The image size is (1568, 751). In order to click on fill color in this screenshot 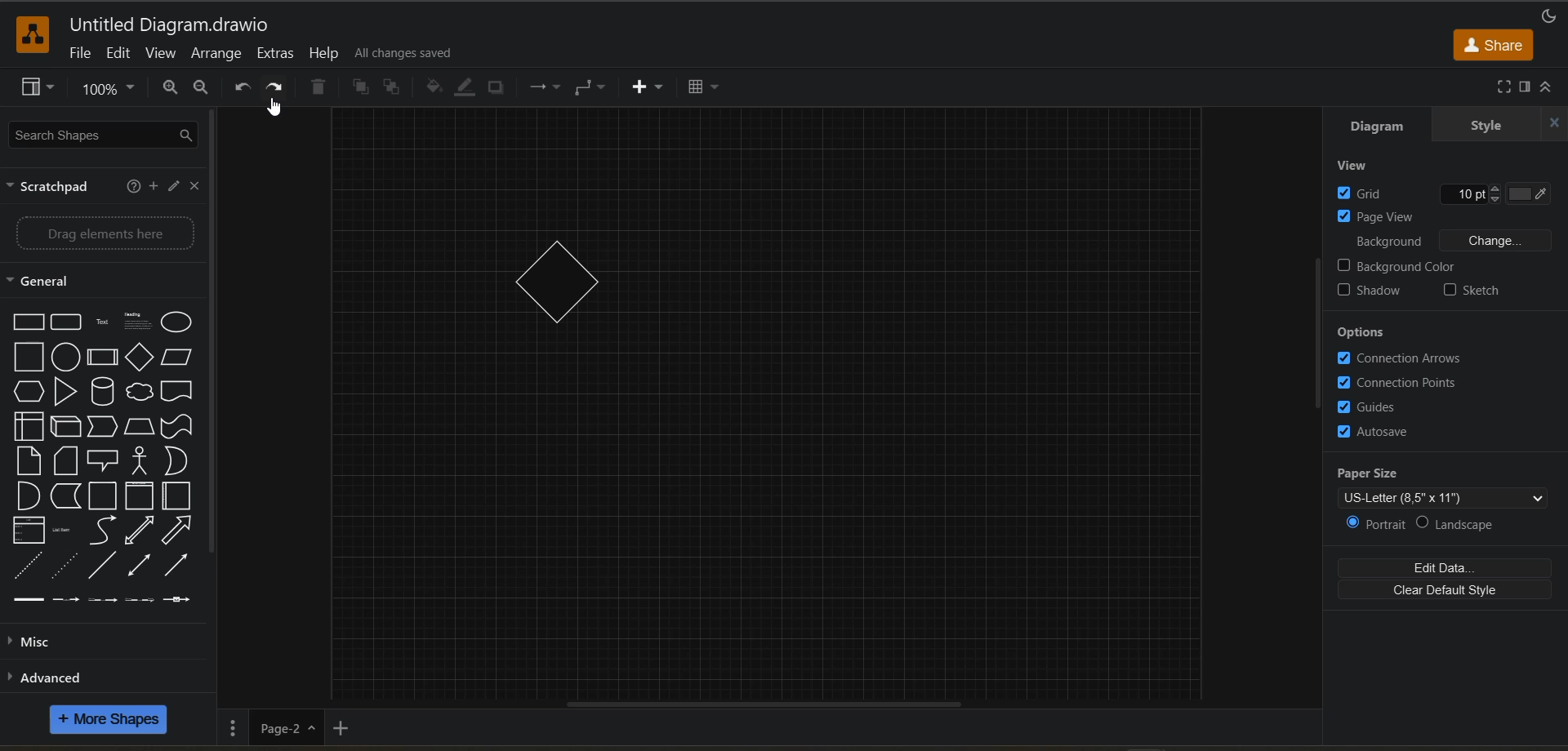, I will do `click(436, 89)`.